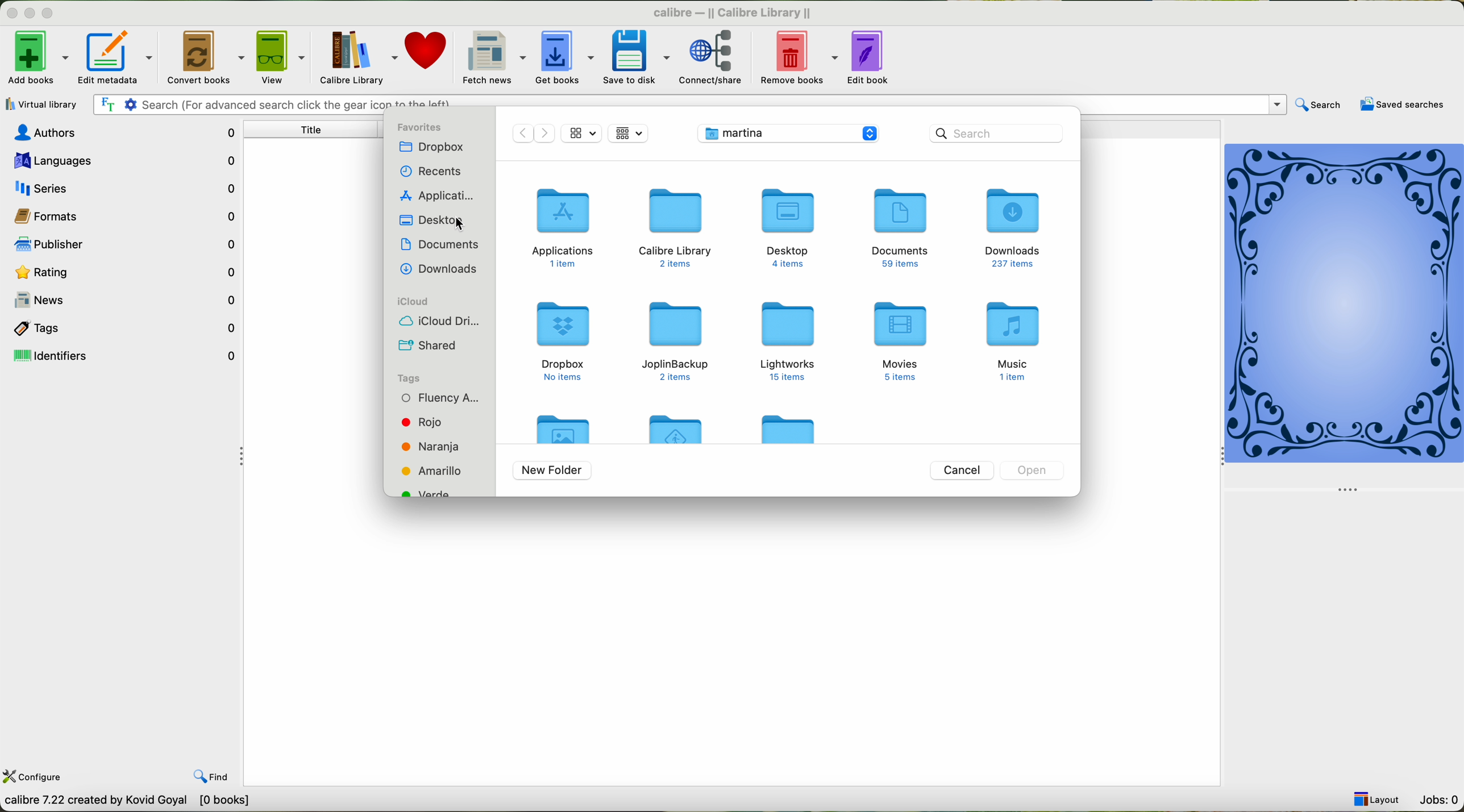  I want to click on find, so click(216, 777).